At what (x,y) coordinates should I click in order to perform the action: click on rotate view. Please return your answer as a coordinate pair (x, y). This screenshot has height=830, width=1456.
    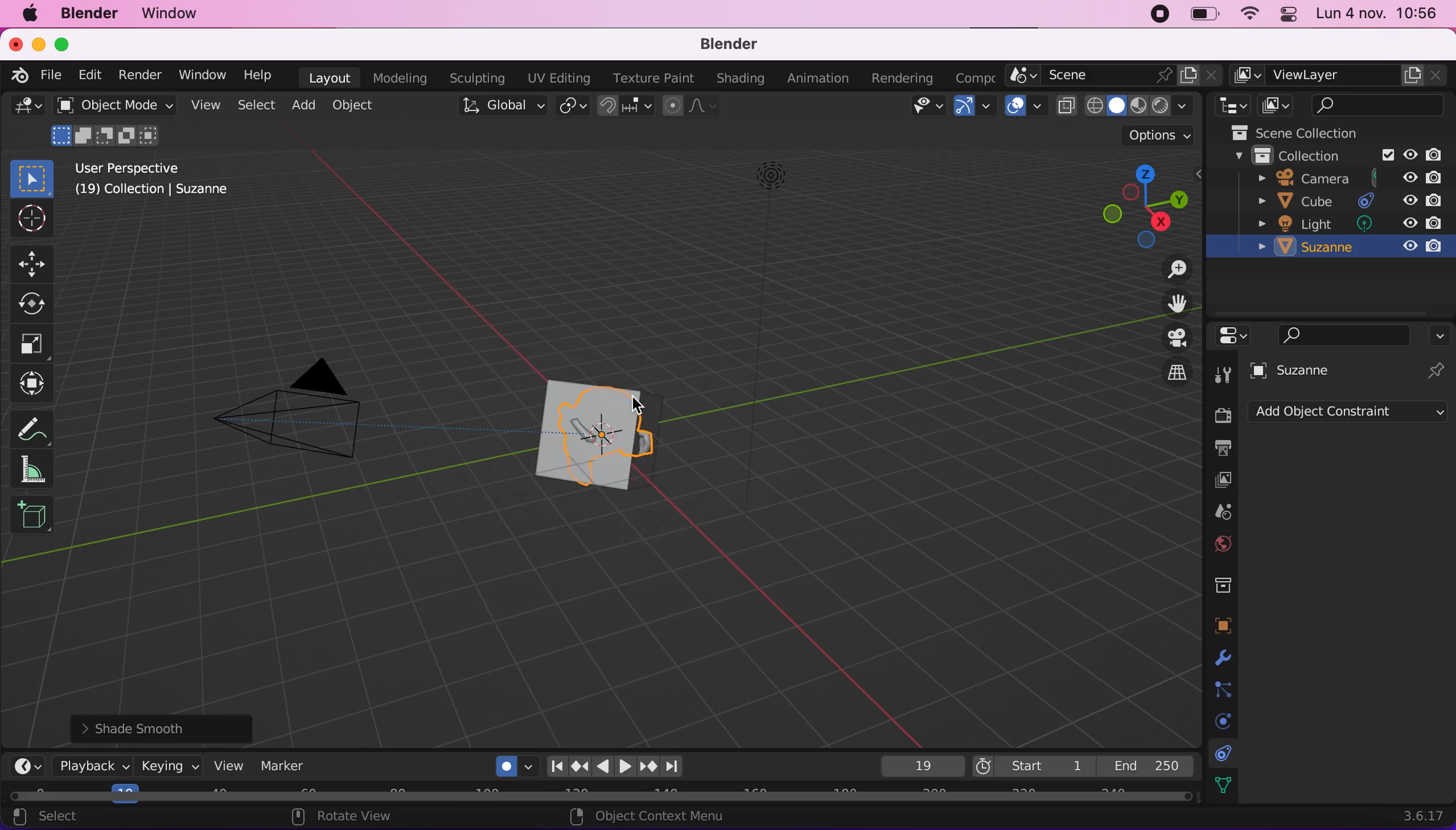
    Looking at the image, I should click on (350, 817).